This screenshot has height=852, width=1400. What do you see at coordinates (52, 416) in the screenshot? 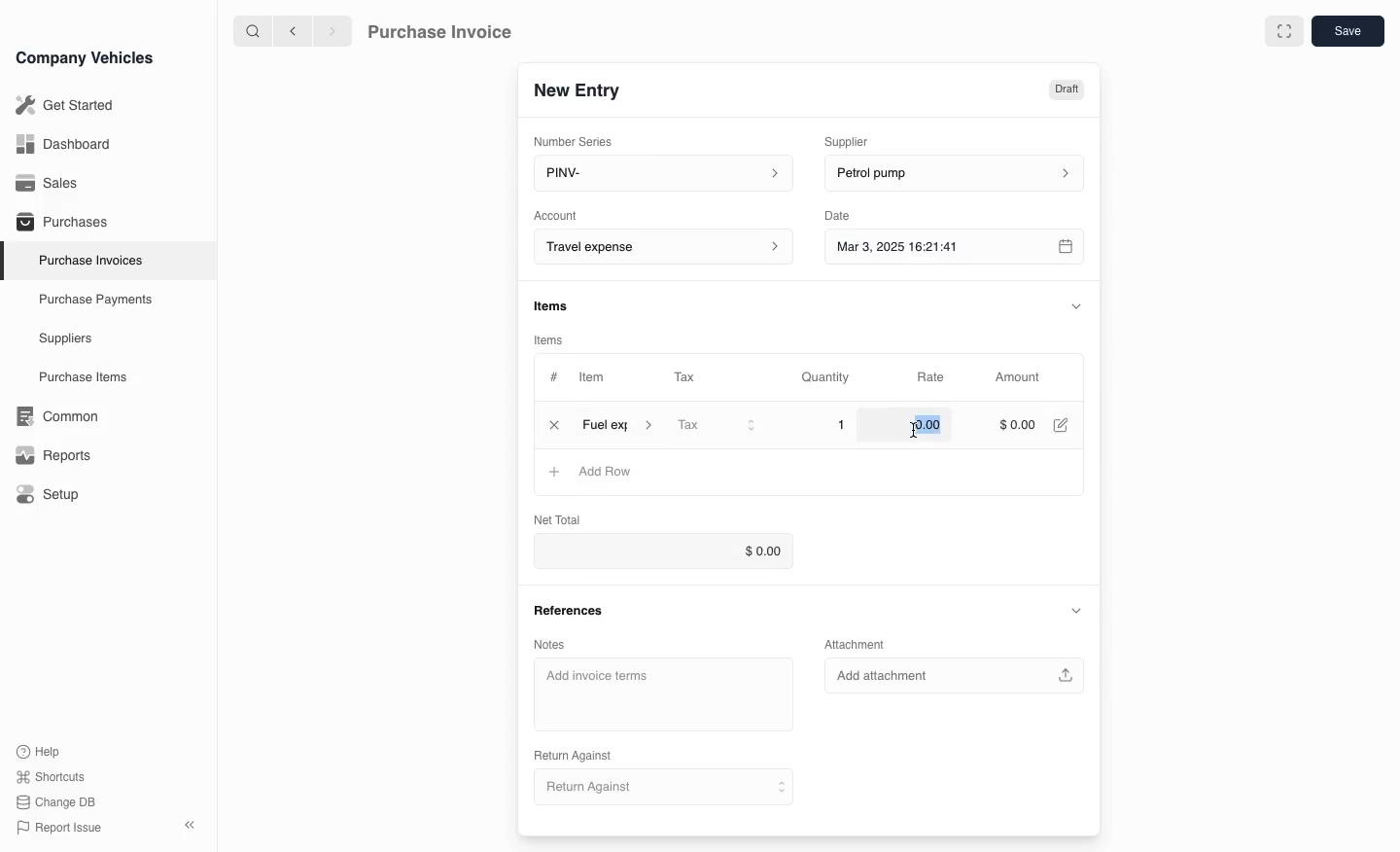
I see `Common` at bounding box center [52, 416].